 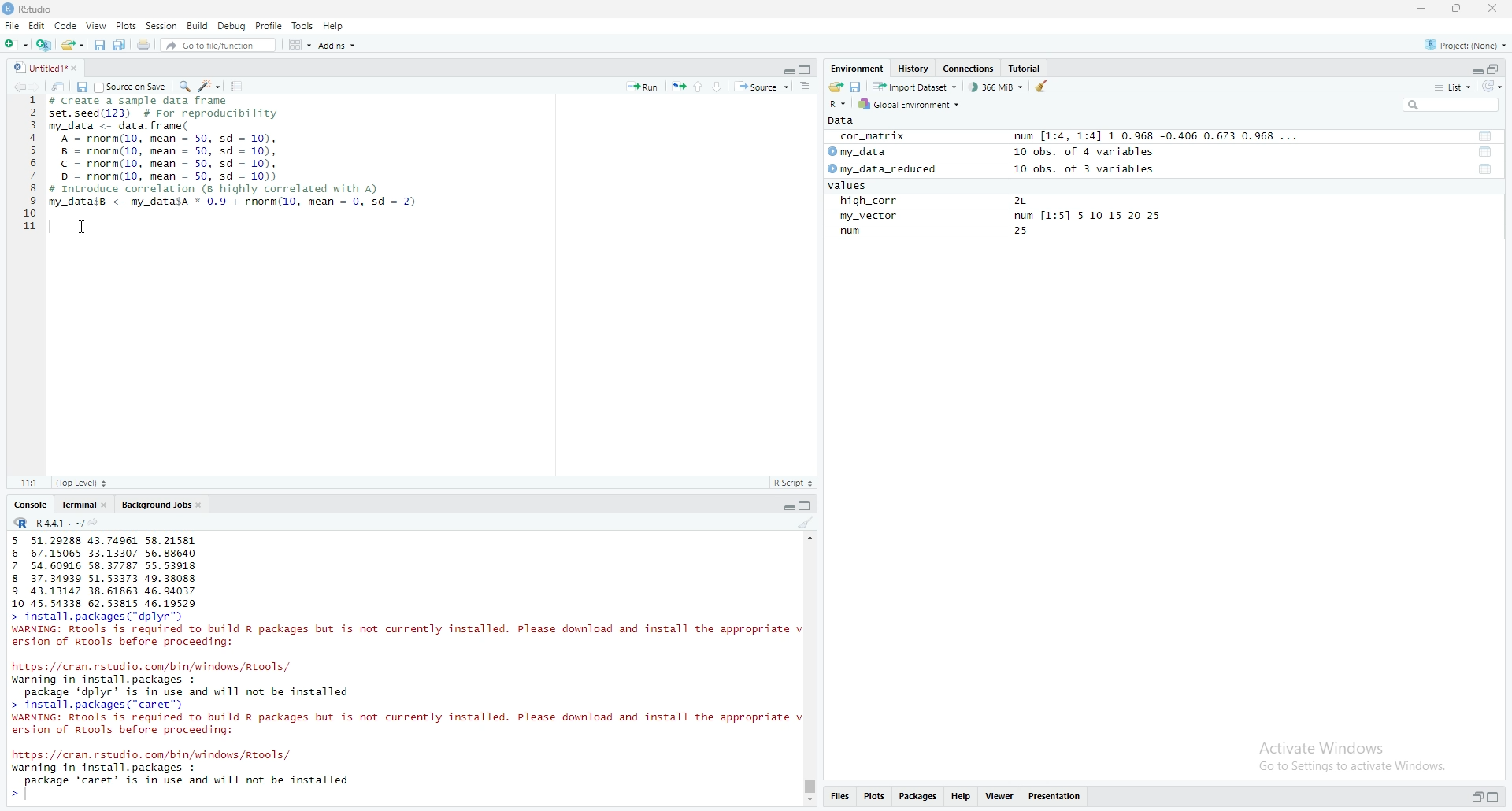 What do you see at coordinates (132, 87) in the screenshot?
I see `Source on save` at bounding box center [132, 87].